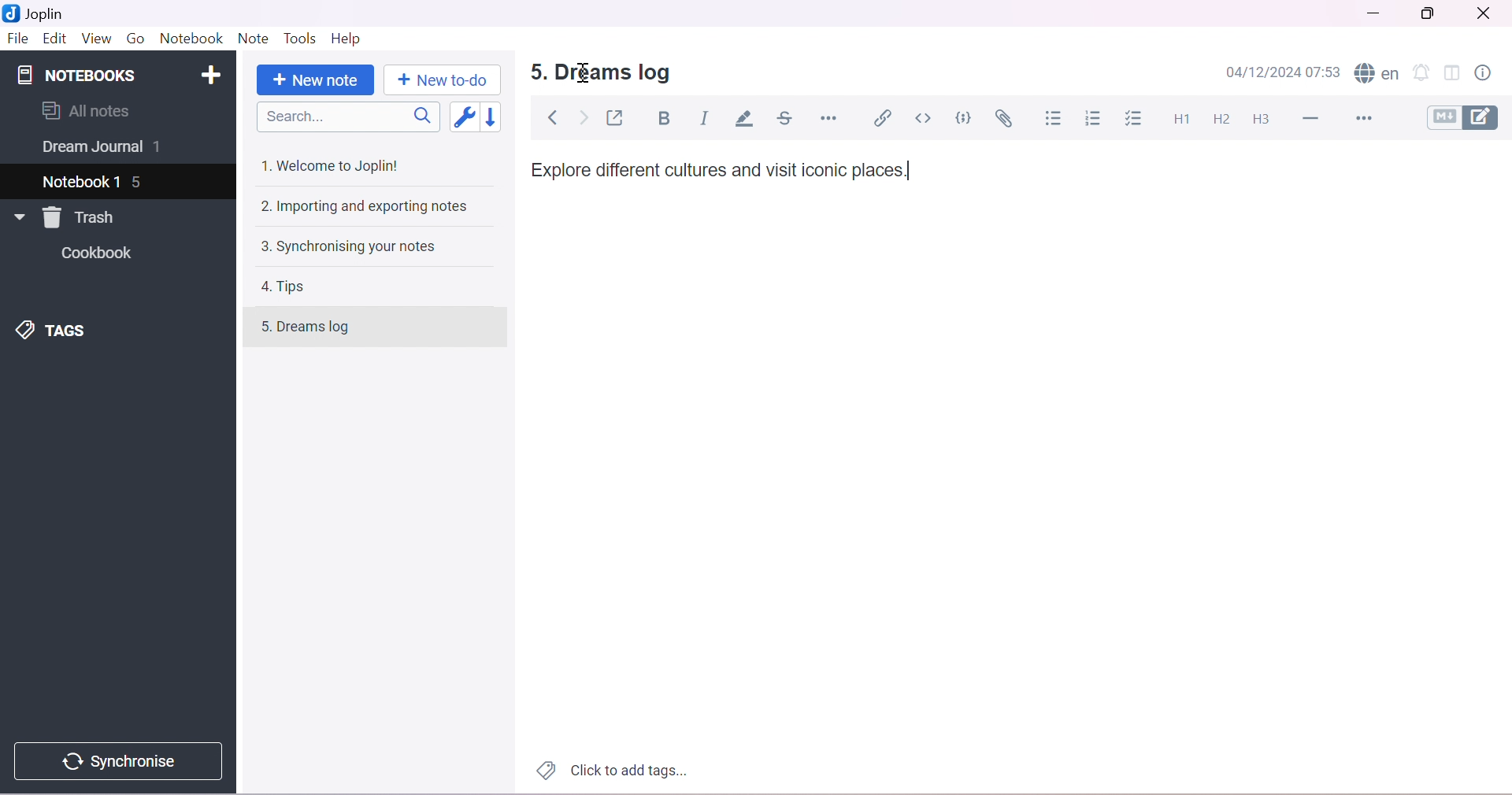 This screenshot has width=1512, height=795. I want to click on Set alarm, so click(1424, 73).